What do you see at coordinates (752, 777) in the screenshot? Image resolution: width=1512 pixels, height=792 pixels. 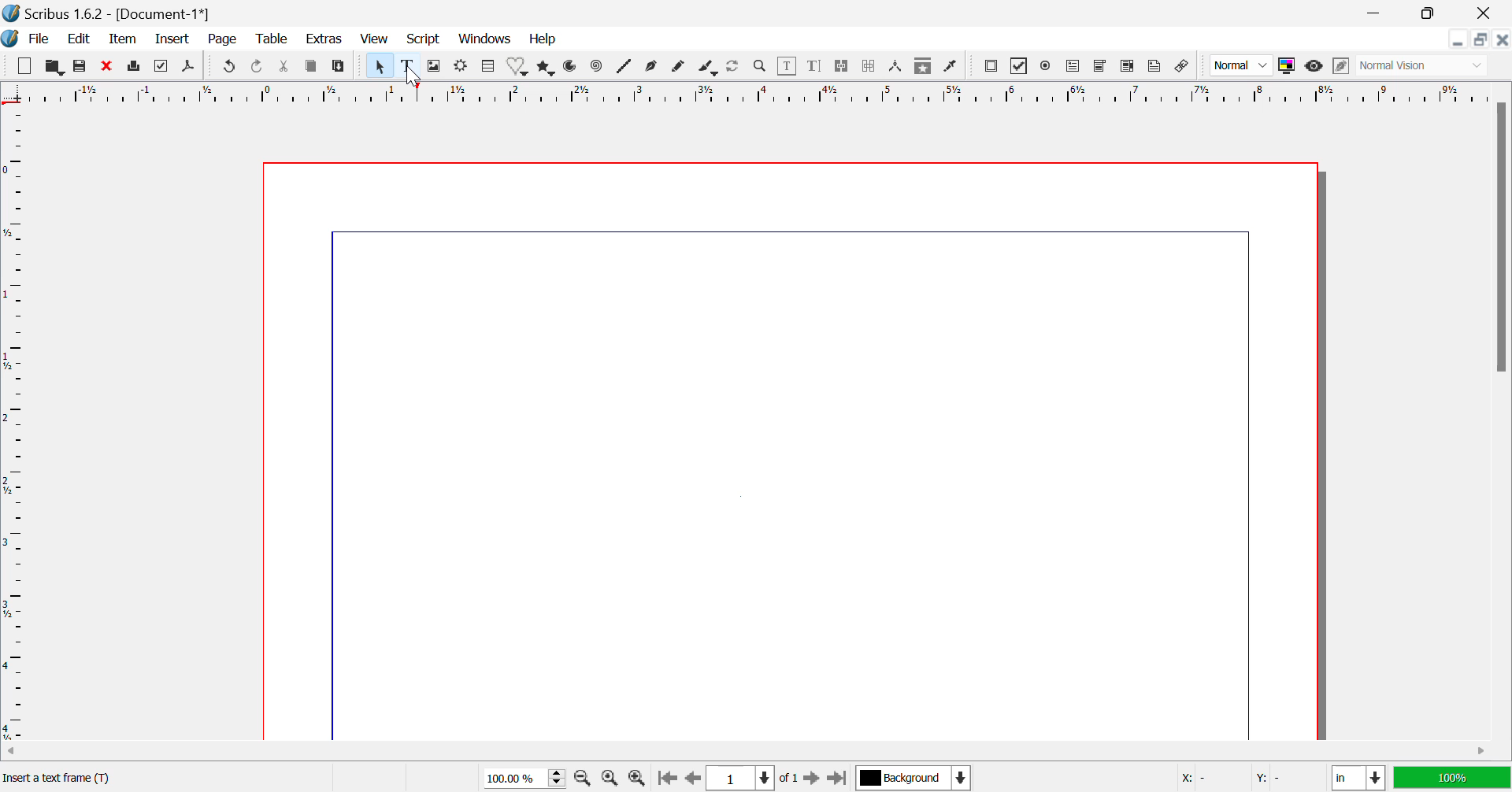 I see `Page 1 of 1` at bounding box center [752, 777].